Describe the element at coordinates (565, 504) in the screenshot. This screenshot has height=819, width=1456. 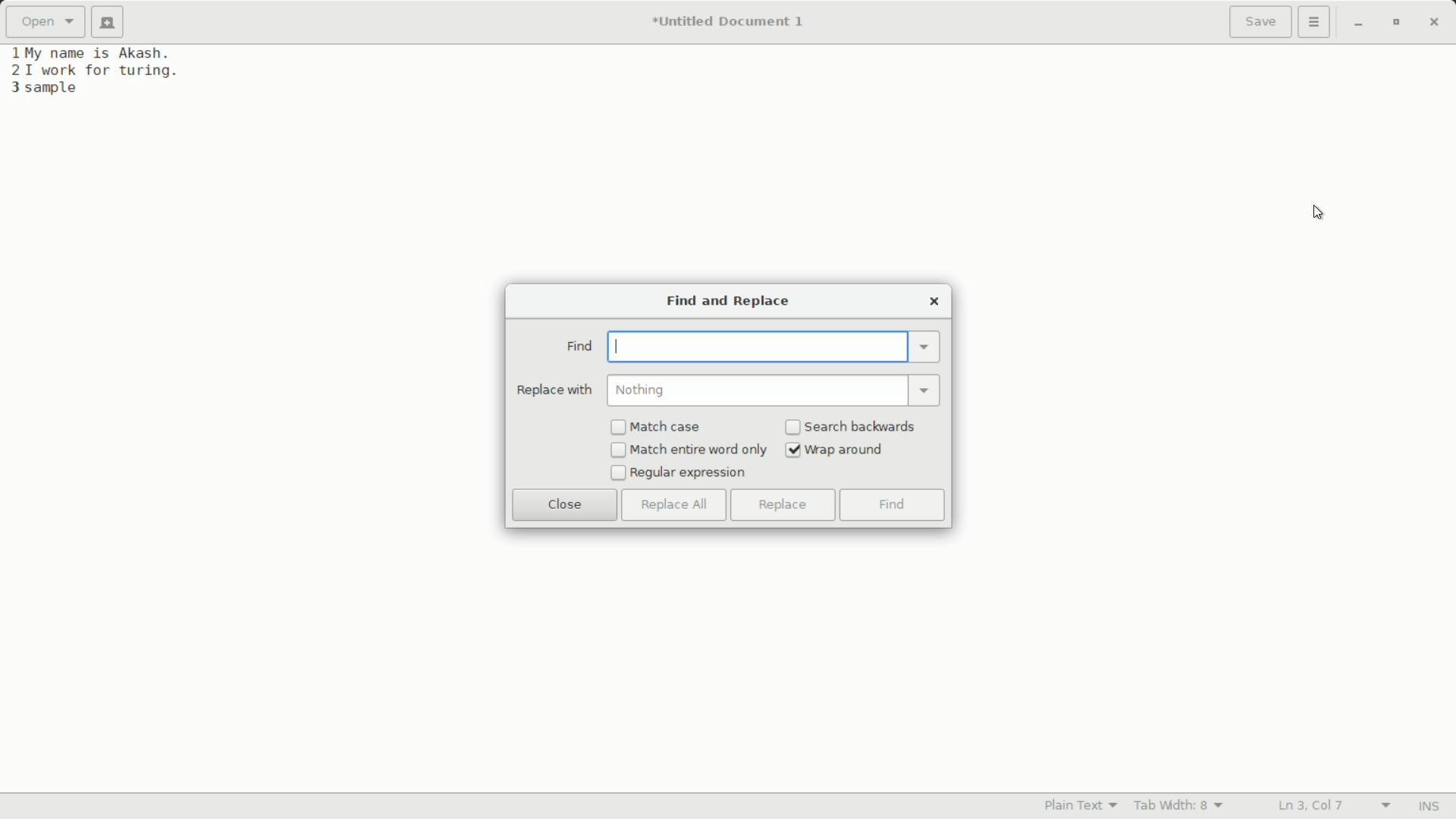
I see `close` at that location.